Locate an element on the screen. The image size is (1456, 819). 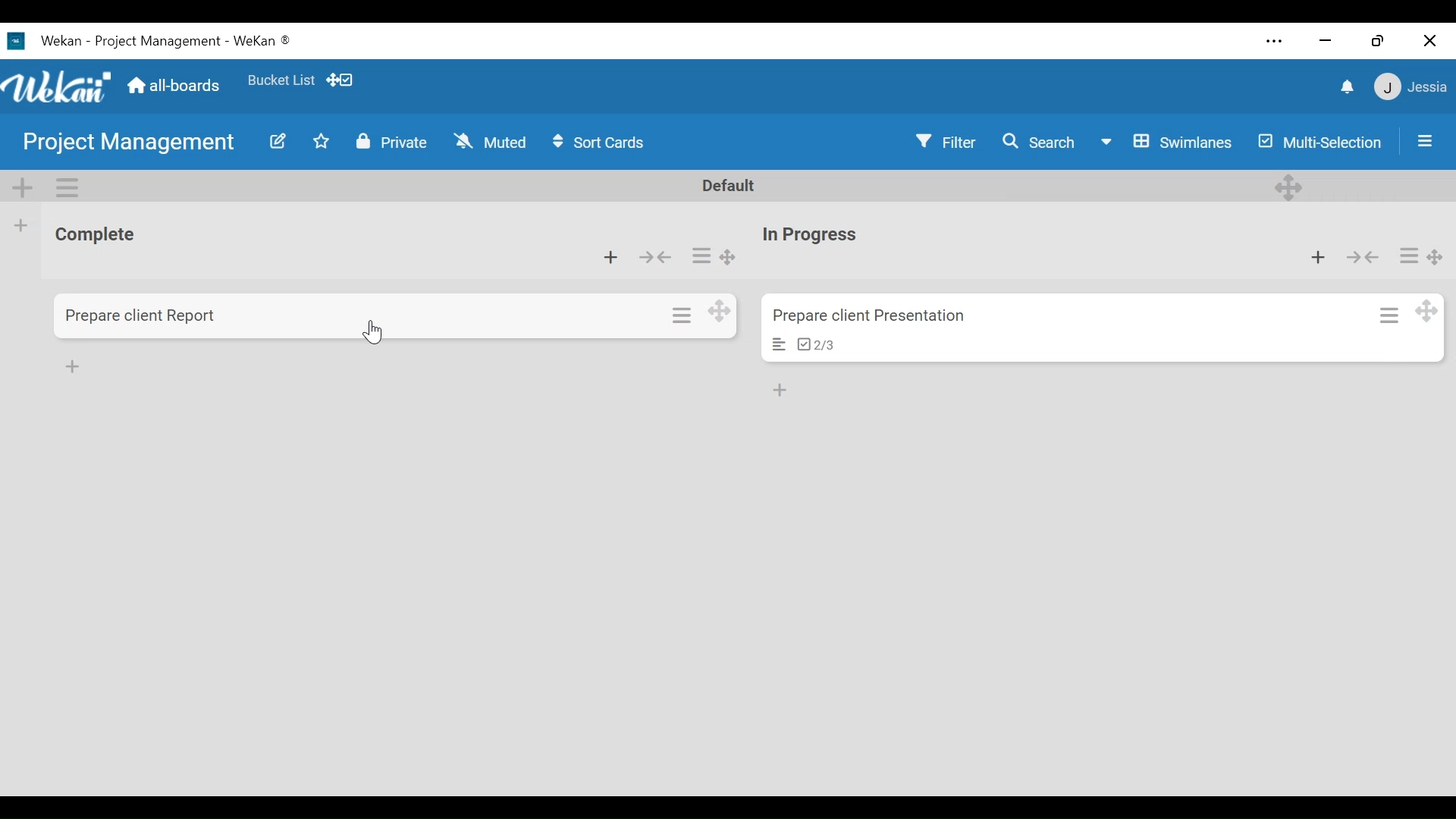
minimize is located at coordinates (1327, 42).